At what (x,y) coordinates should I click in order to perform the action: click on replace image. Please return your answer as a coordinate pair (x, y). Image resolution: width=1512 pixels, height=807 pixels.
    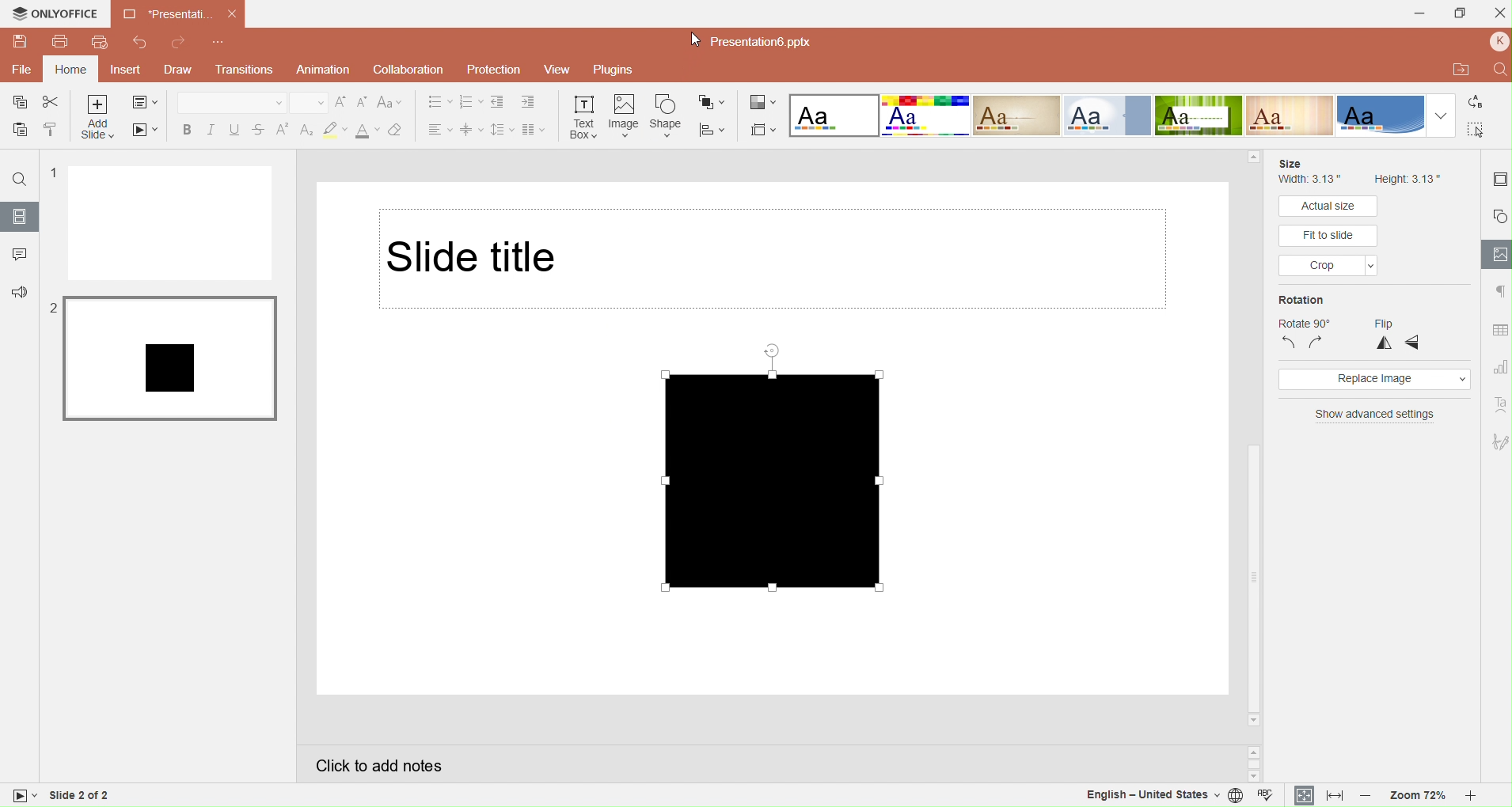
    Looking at the image, I should click on (1373, 380).